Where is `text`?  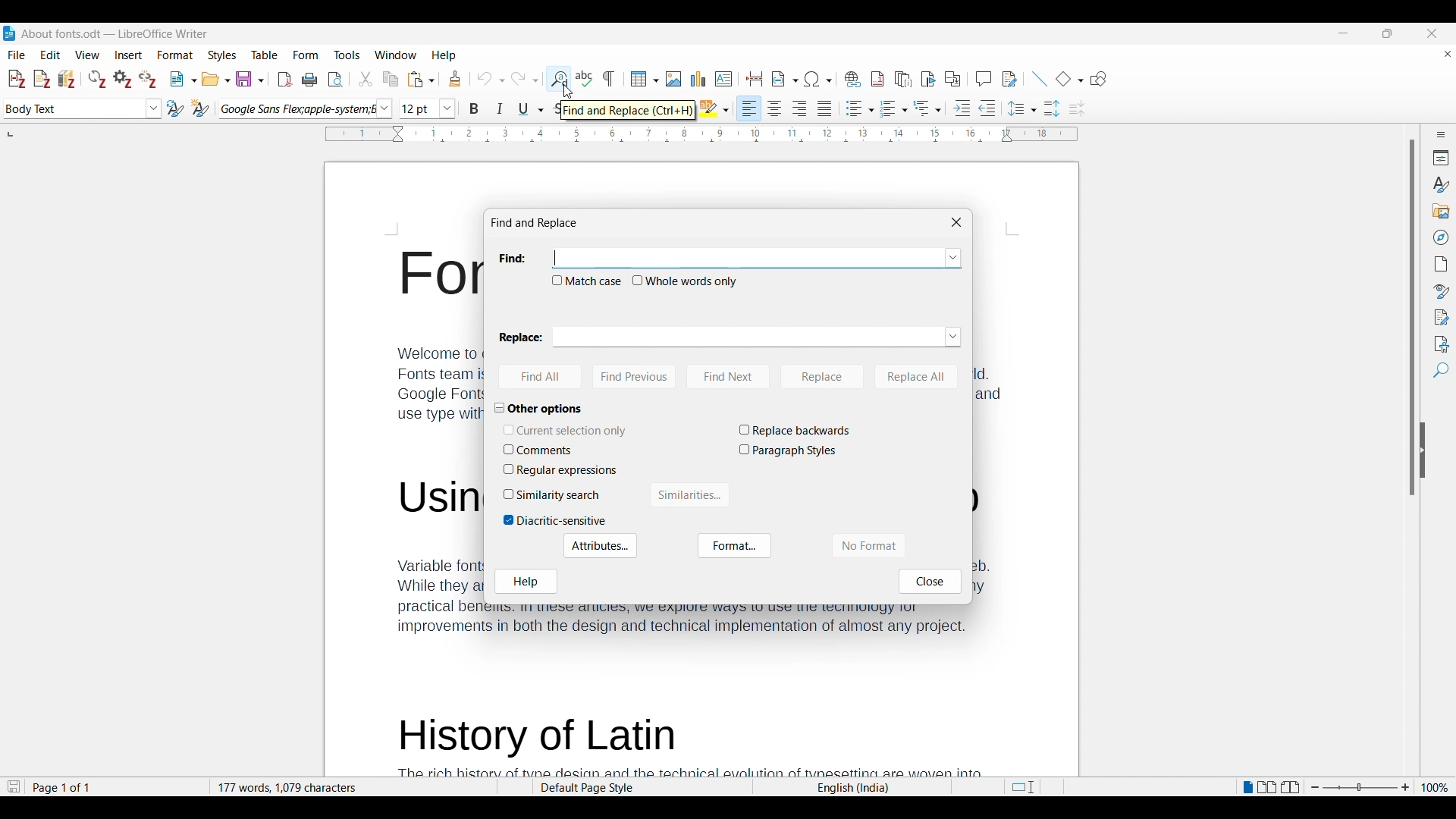 text is located at coordinates (988, 490).